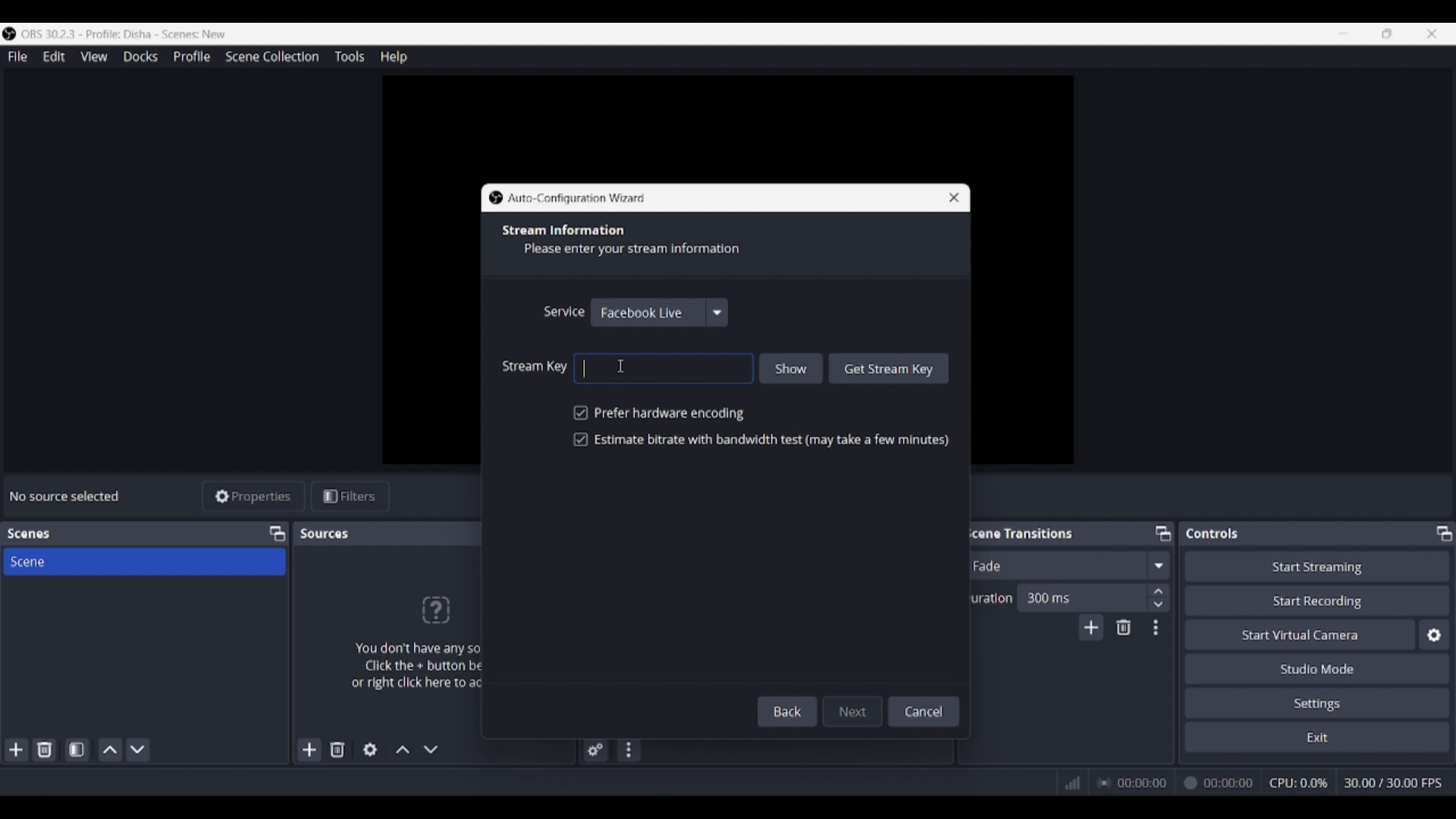 This screenshot has height=819, width=1456. What do you see at coordinates (94, 56) in the screenshot?
I see `View menu` at bounding box center [94, 56].